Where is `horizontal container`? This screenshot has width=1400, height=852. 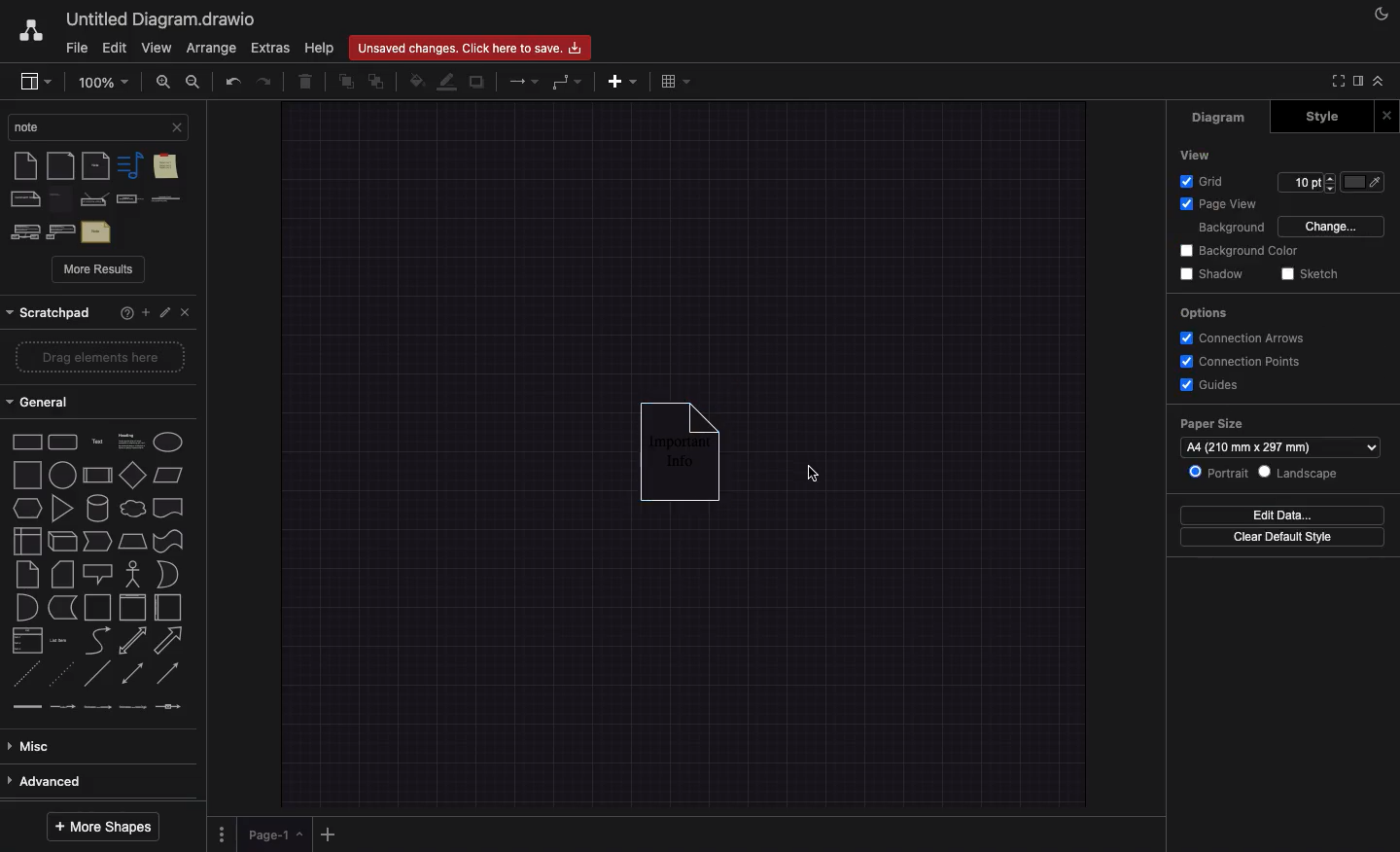
horizontal container is located at coordinates (168, 608).